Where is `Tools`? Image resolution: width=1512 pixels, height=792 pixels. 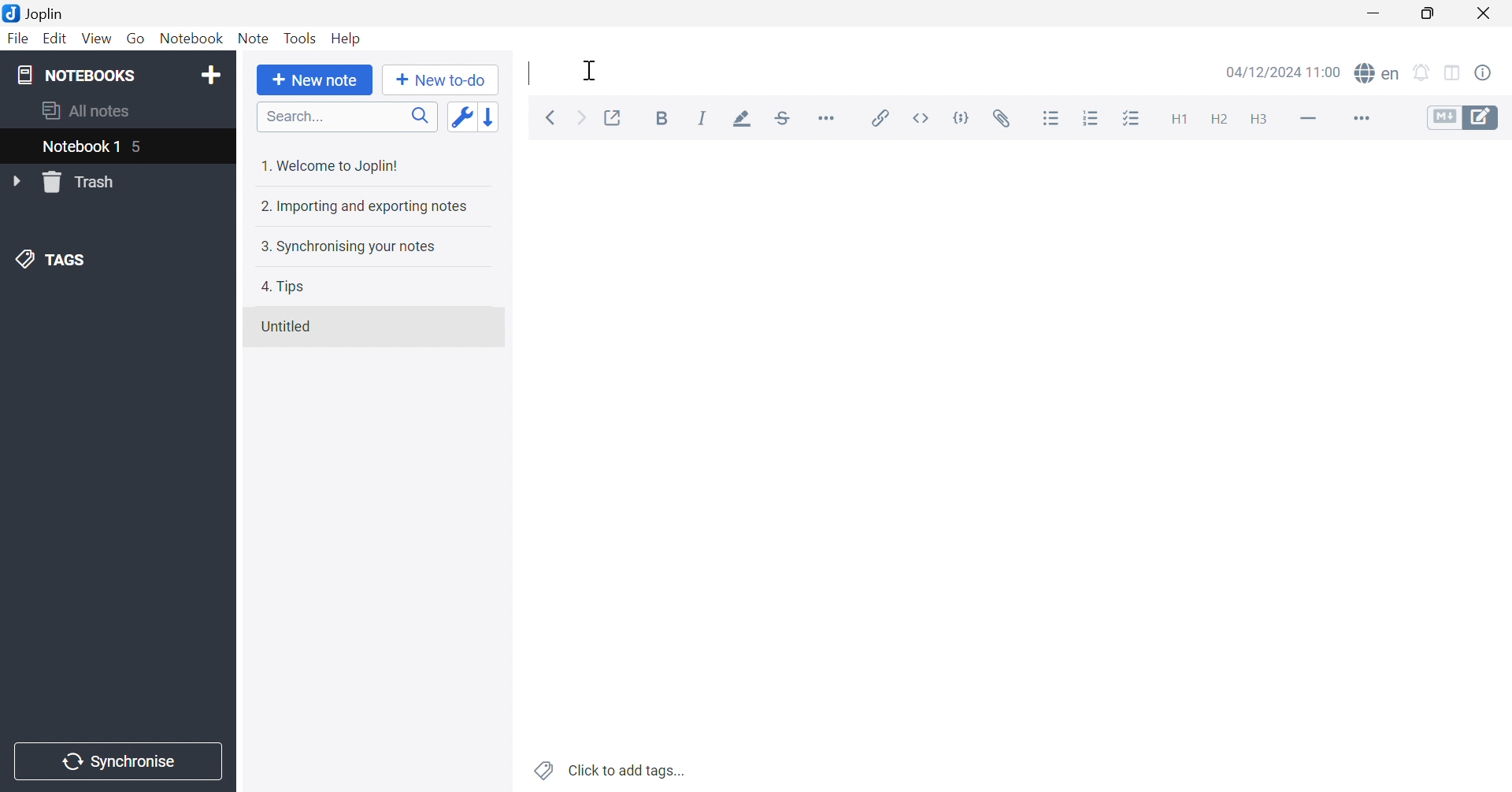 Tools is located at coordinates (302, 37).